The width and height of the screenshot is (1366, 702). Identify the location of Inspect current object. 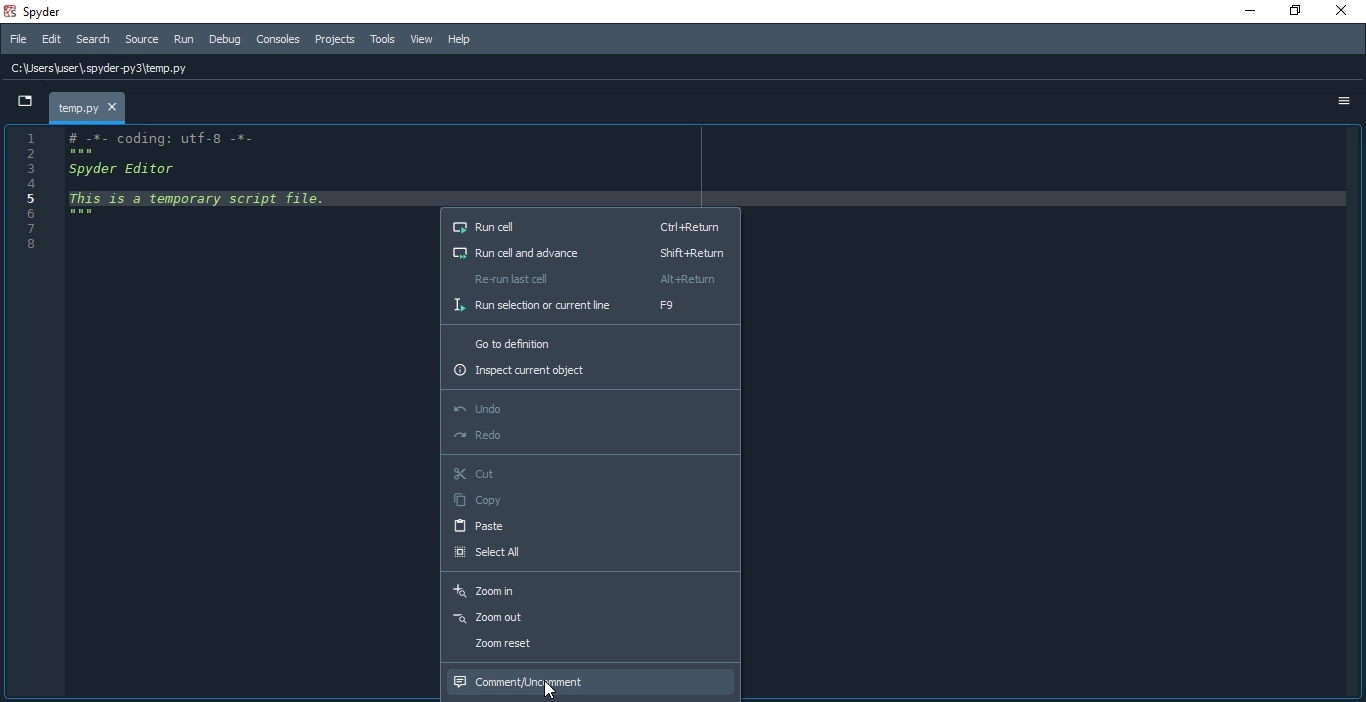
(590, 374).